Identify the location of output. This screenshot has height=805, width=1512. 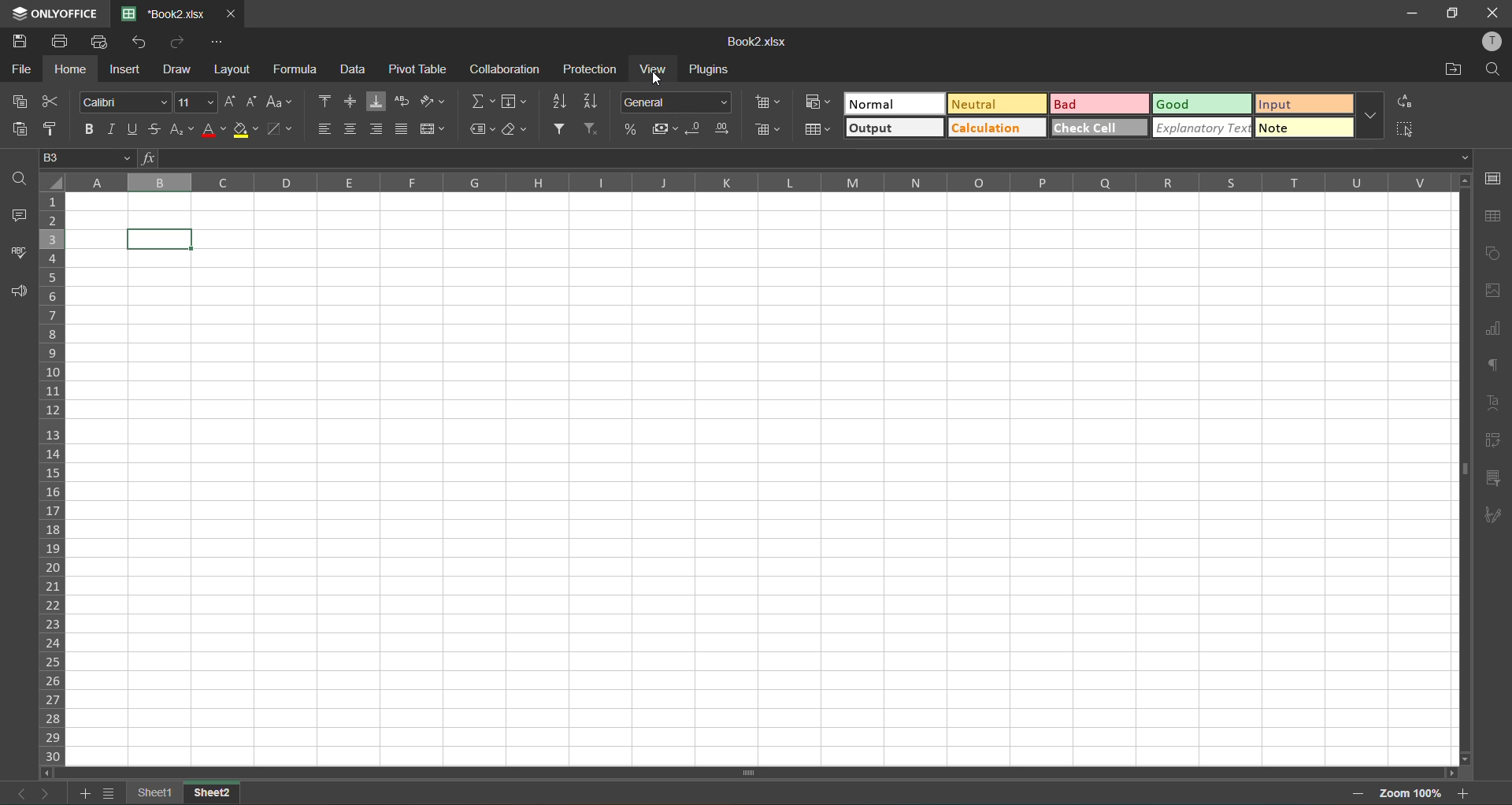
(892, 130).